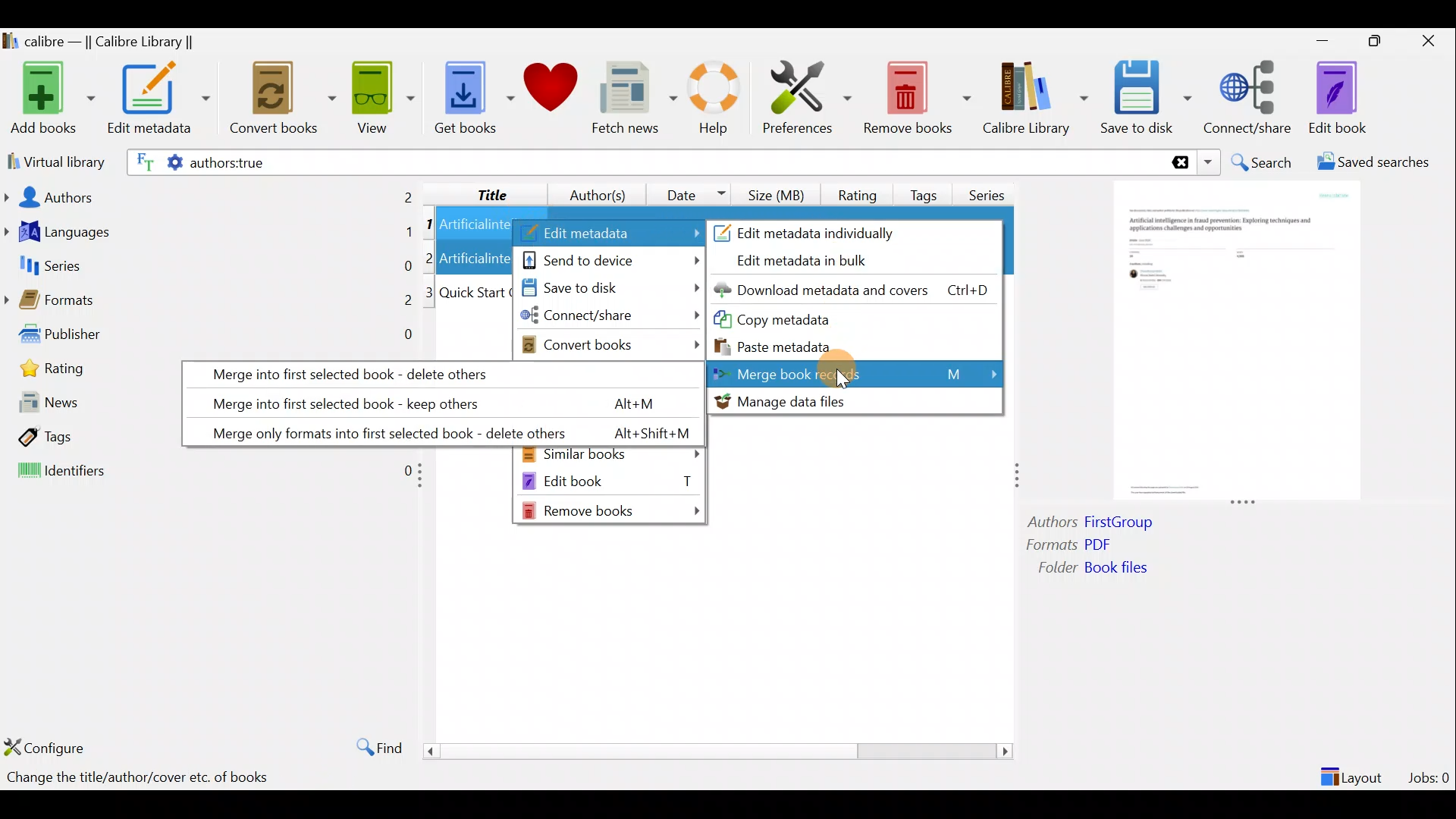  I want to click on Add books, so click(50, 99).